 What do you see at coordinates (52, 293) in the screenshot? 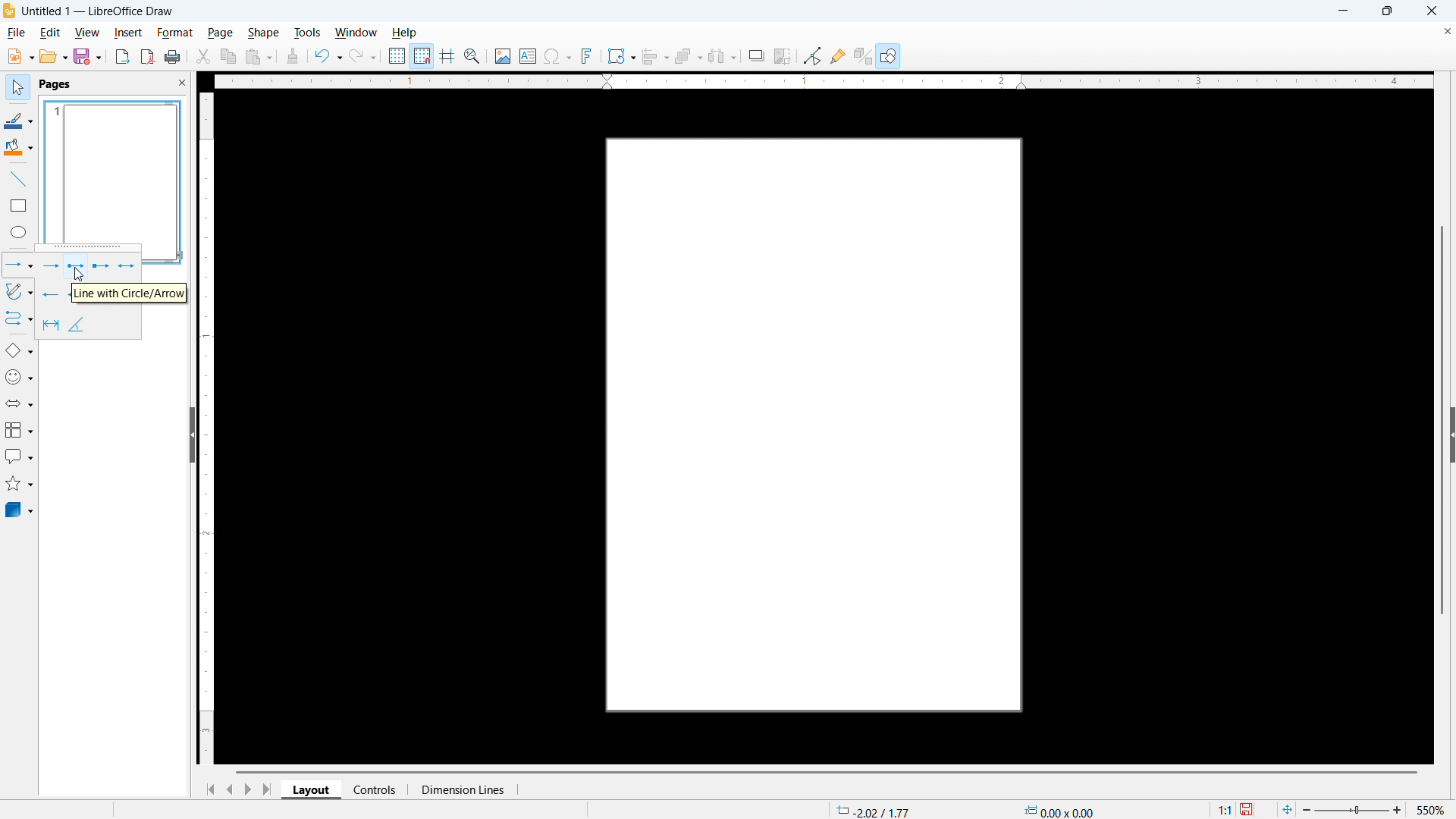
I see `Line starts with arrow ` at bounding box center [52, 293].